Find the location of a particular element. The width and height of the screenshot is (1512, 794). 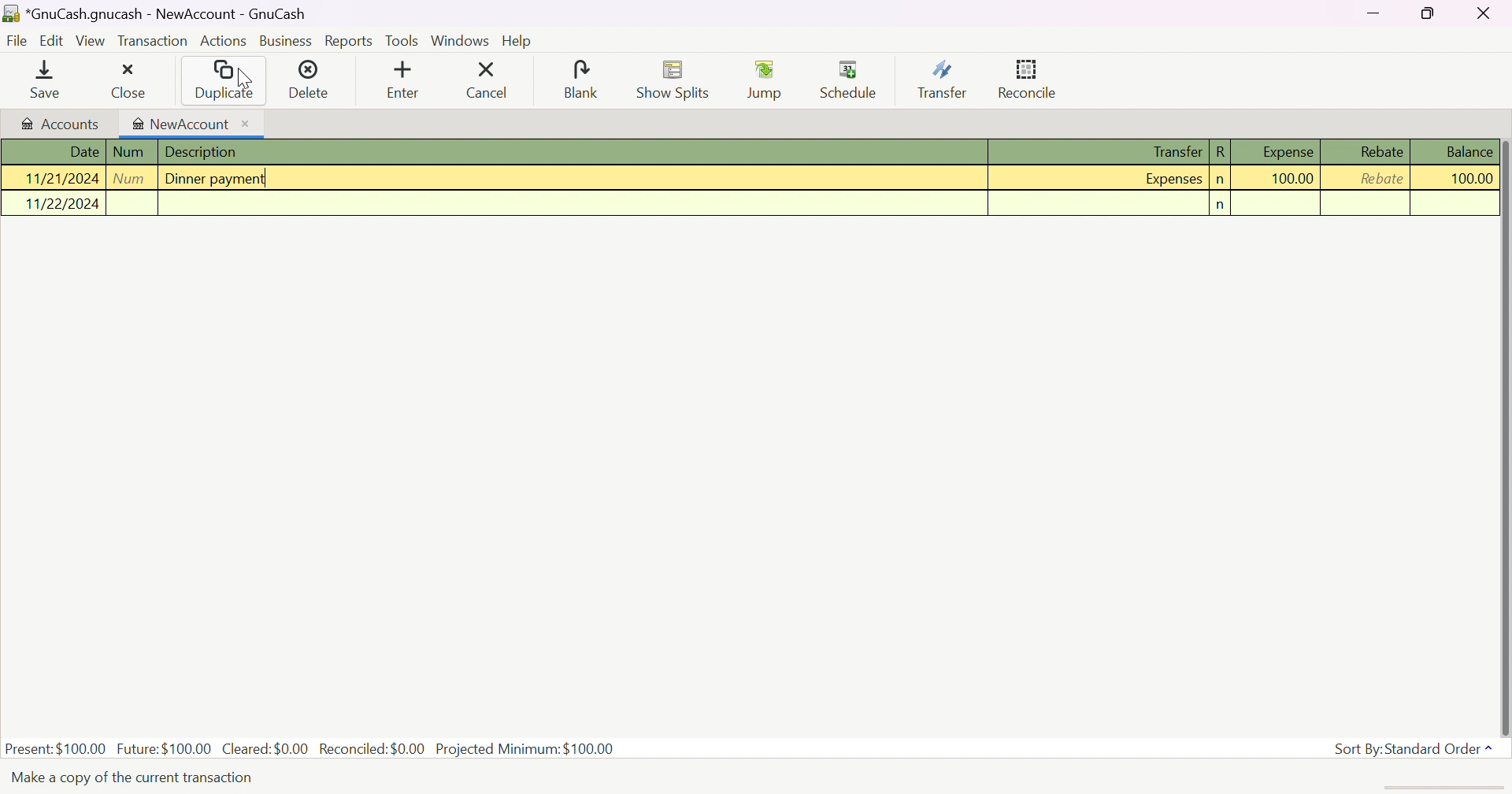

View is located at coordinates (91, 41).